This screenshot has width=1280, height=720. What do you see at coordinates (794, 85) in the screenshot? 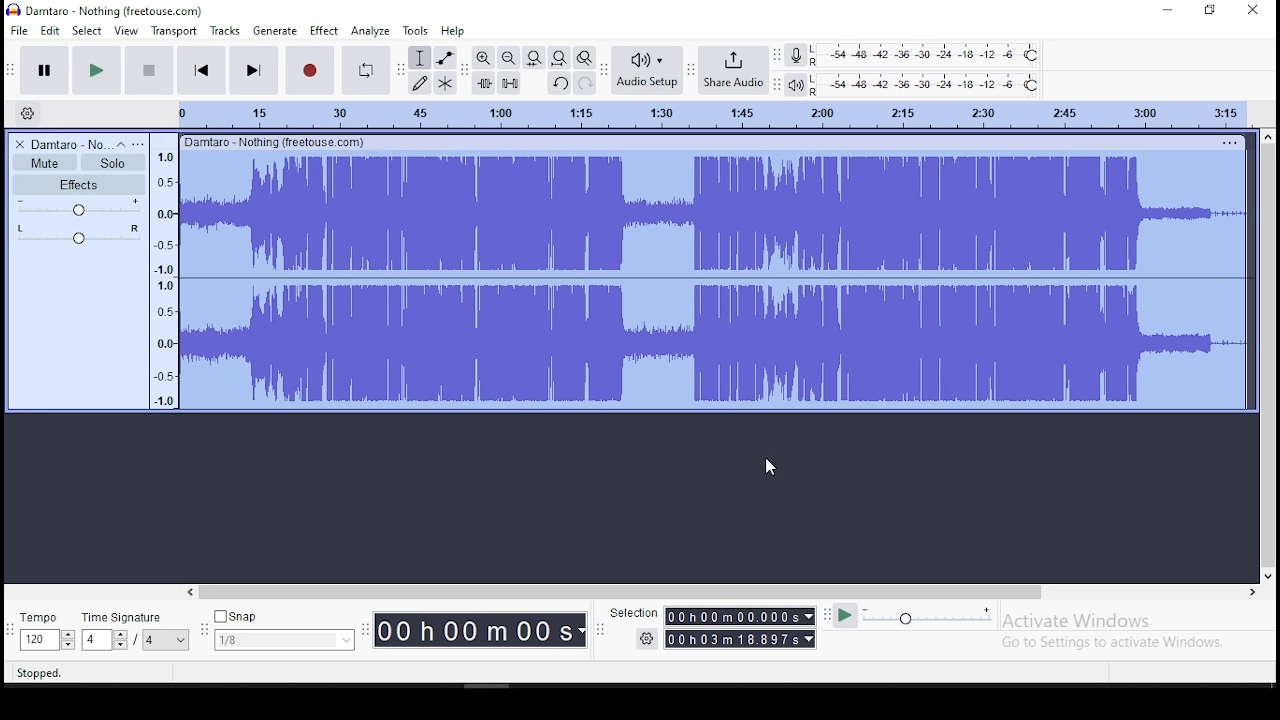
I see `playback meter` at bounding box center [794, 85].